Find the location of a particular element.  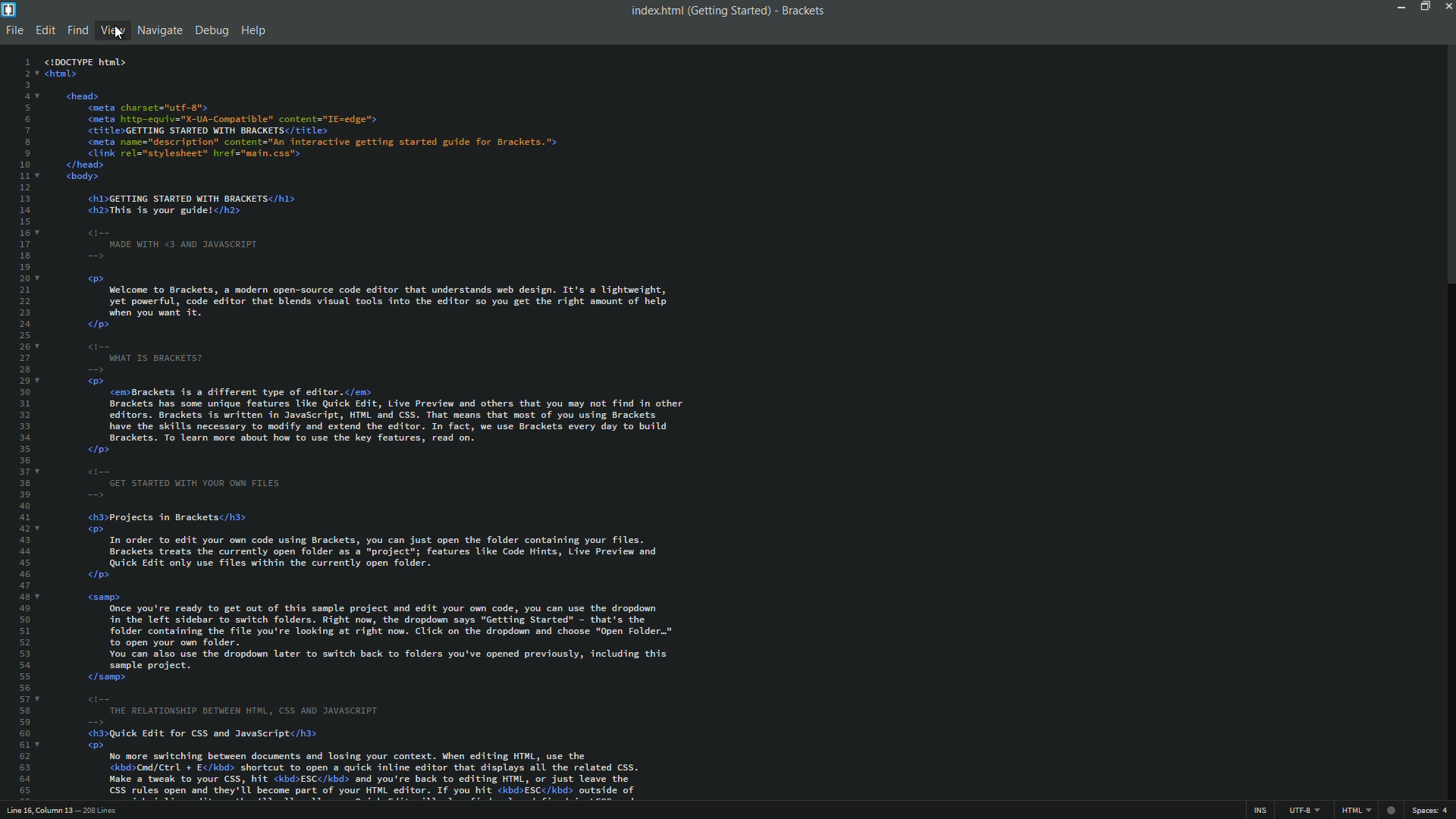

file encoding is located at coordinates (1304, 811).